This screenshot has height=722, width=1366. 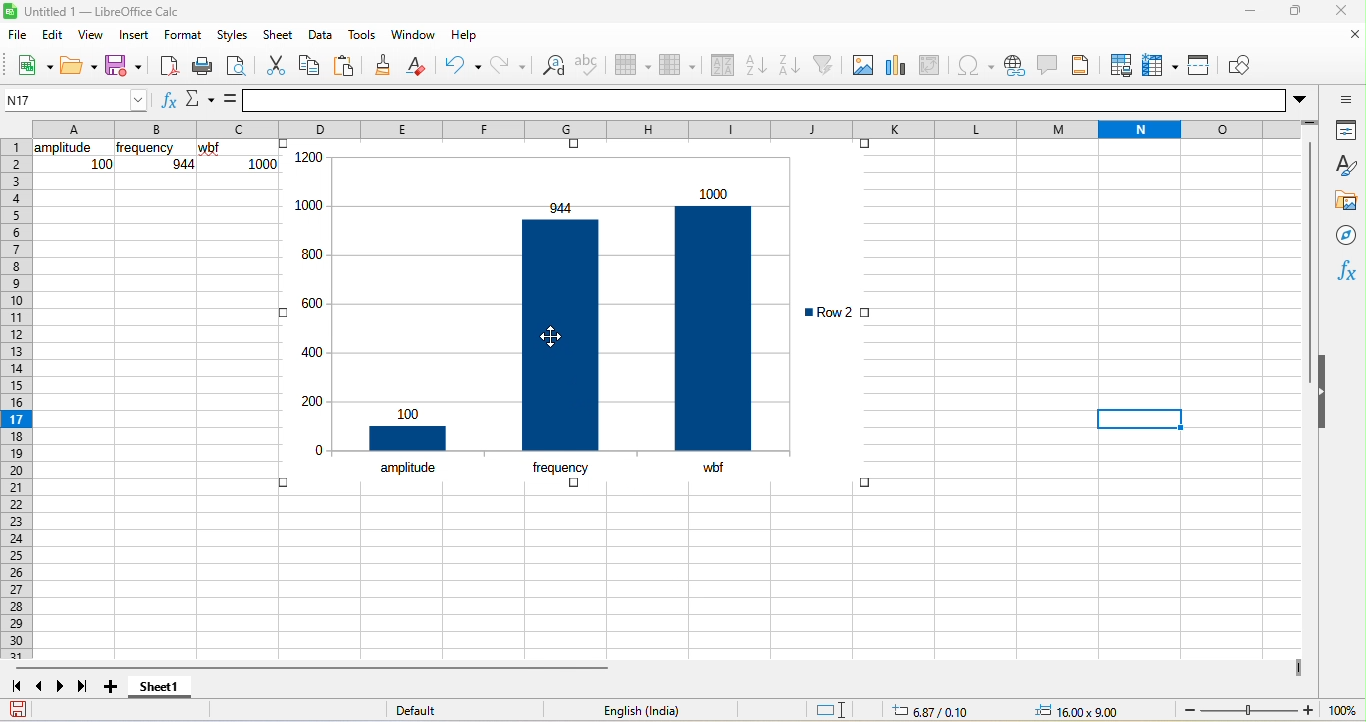 What do you see at coordinates (1120, 65) in the screenshot?
I see `define print area` at bounding box center [1120, 65].